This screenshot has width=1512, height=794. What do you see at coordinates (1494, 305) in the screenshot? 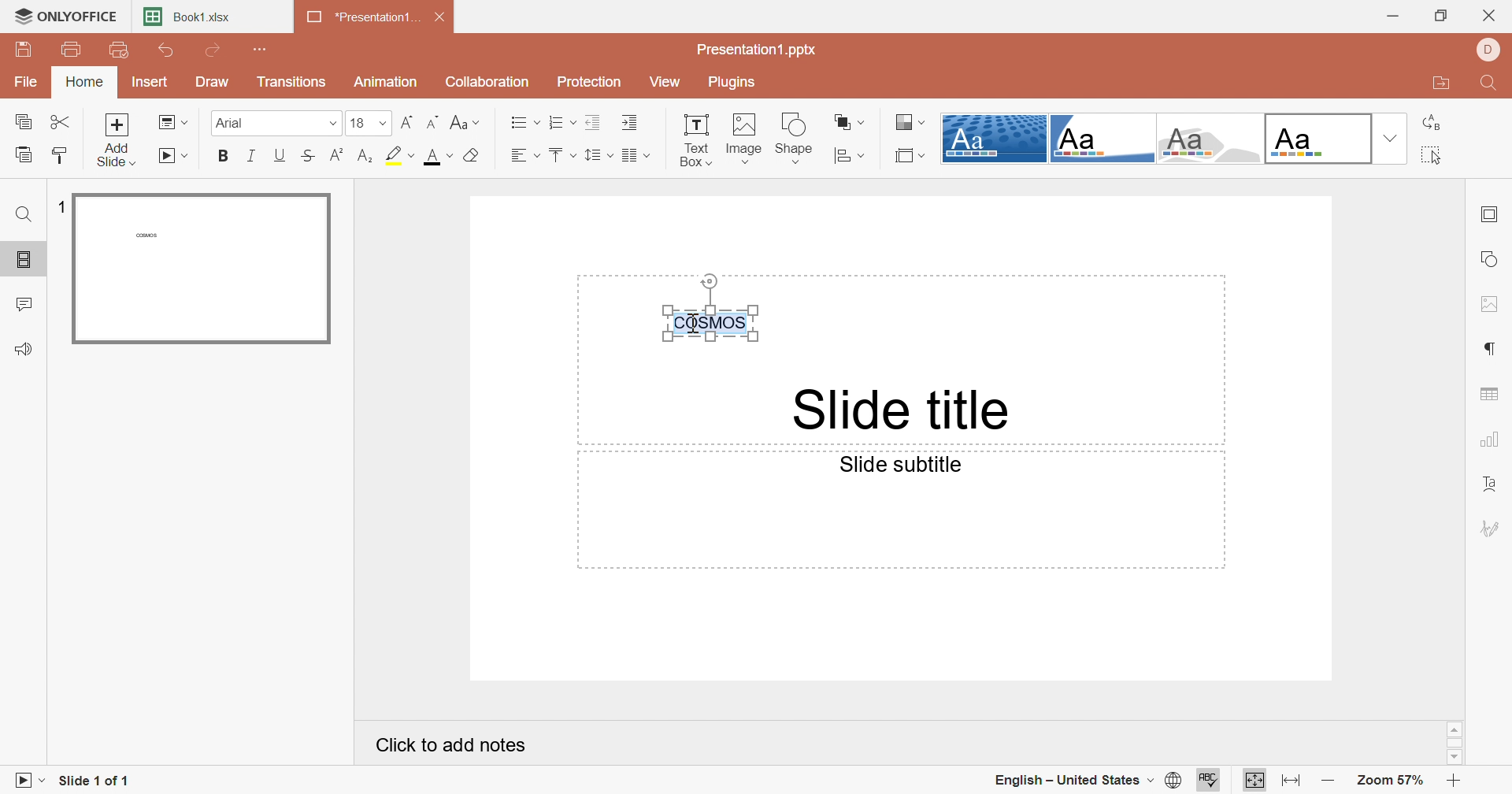
I see `Image settings` at bounding box center [1494, 305].